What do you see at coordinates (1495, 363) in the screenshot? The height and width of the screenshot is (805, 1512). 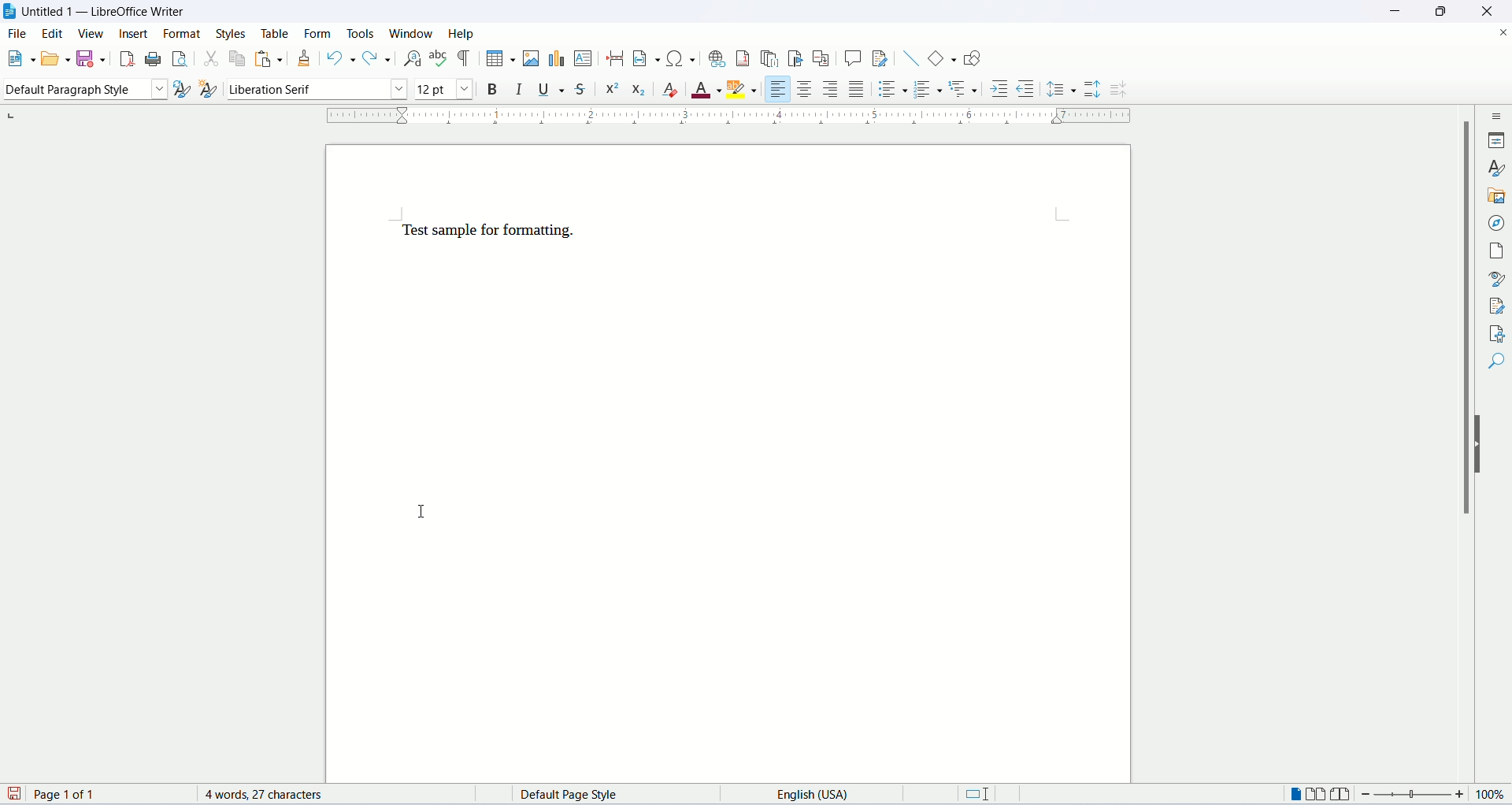 I see `find` at bounding box center [1495, 363].